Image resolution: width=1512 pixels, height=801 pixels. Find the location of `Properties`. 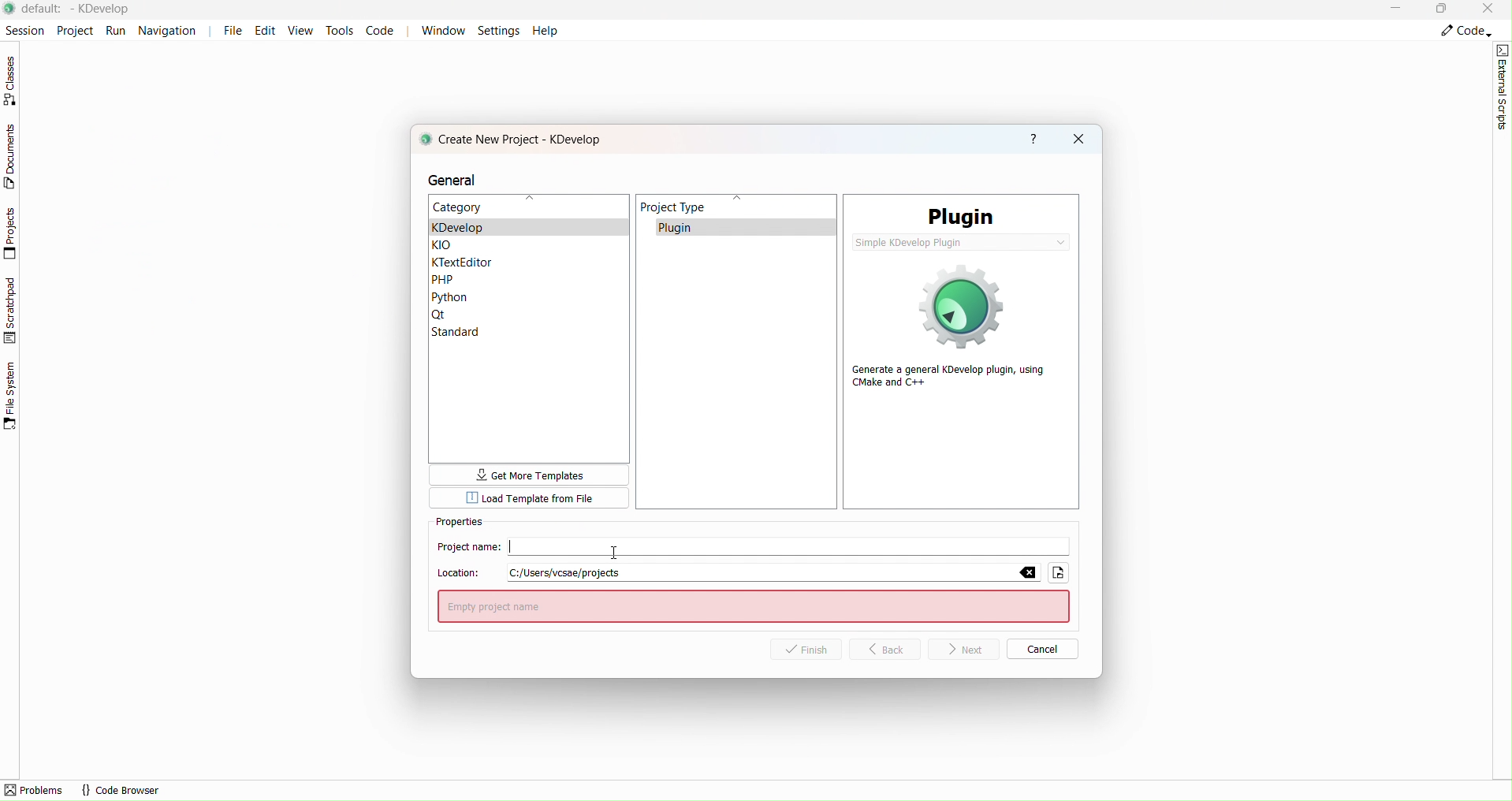

Properties is located at coordinates (460, 522).